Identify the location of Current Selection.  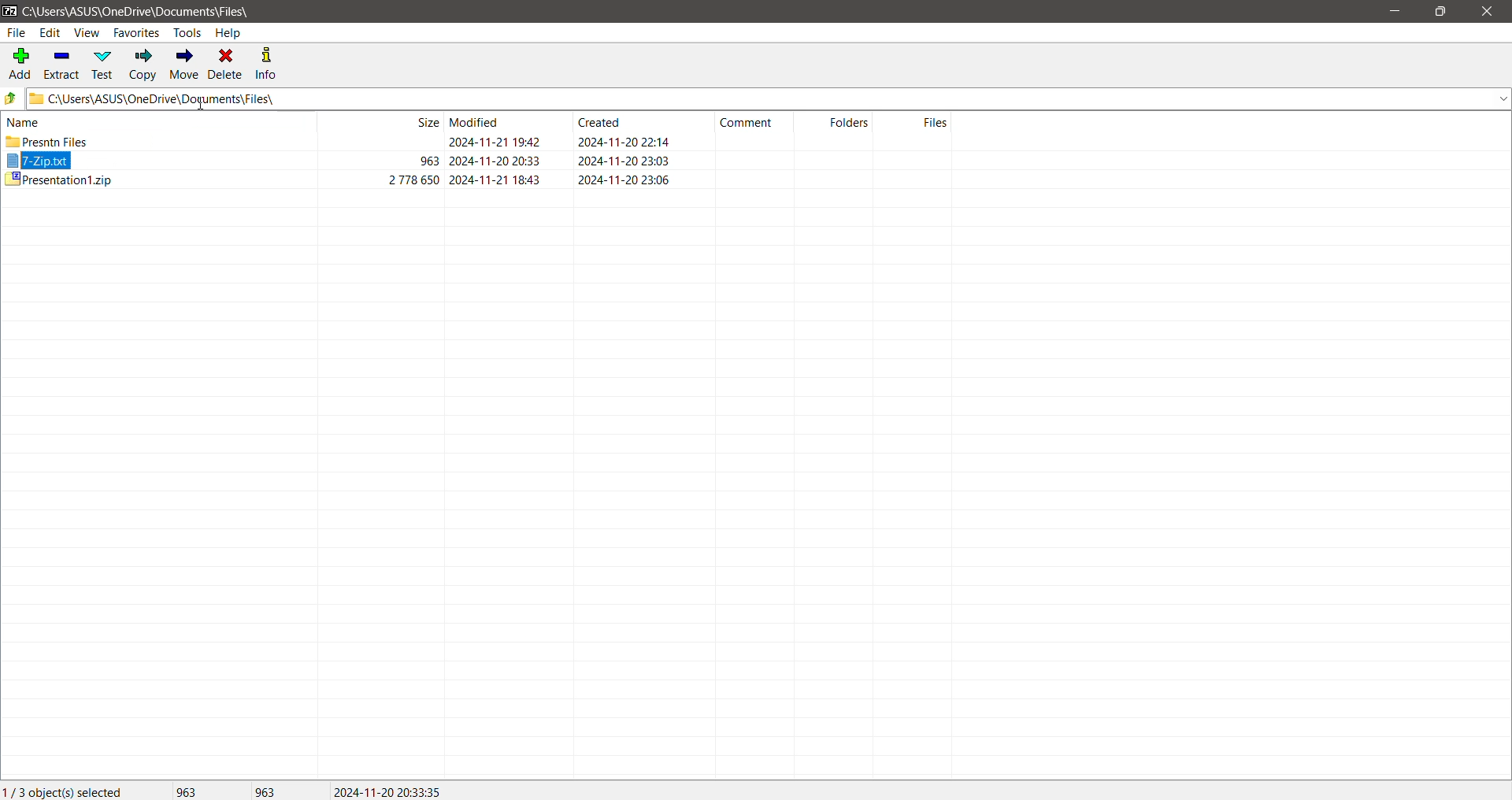
(65, 791).